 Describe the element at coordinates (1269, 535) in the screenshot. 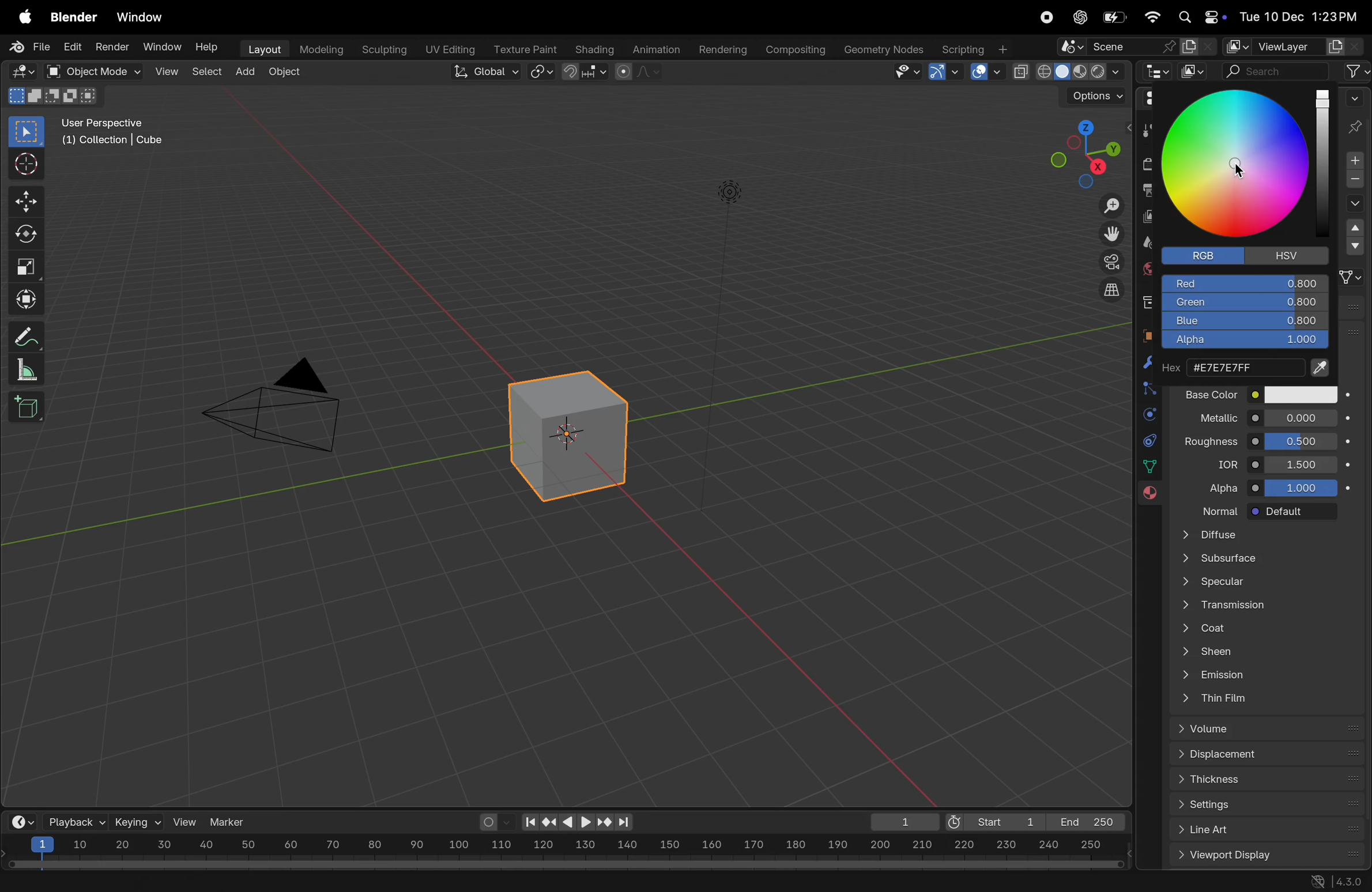

I see `diffuse` at that location.